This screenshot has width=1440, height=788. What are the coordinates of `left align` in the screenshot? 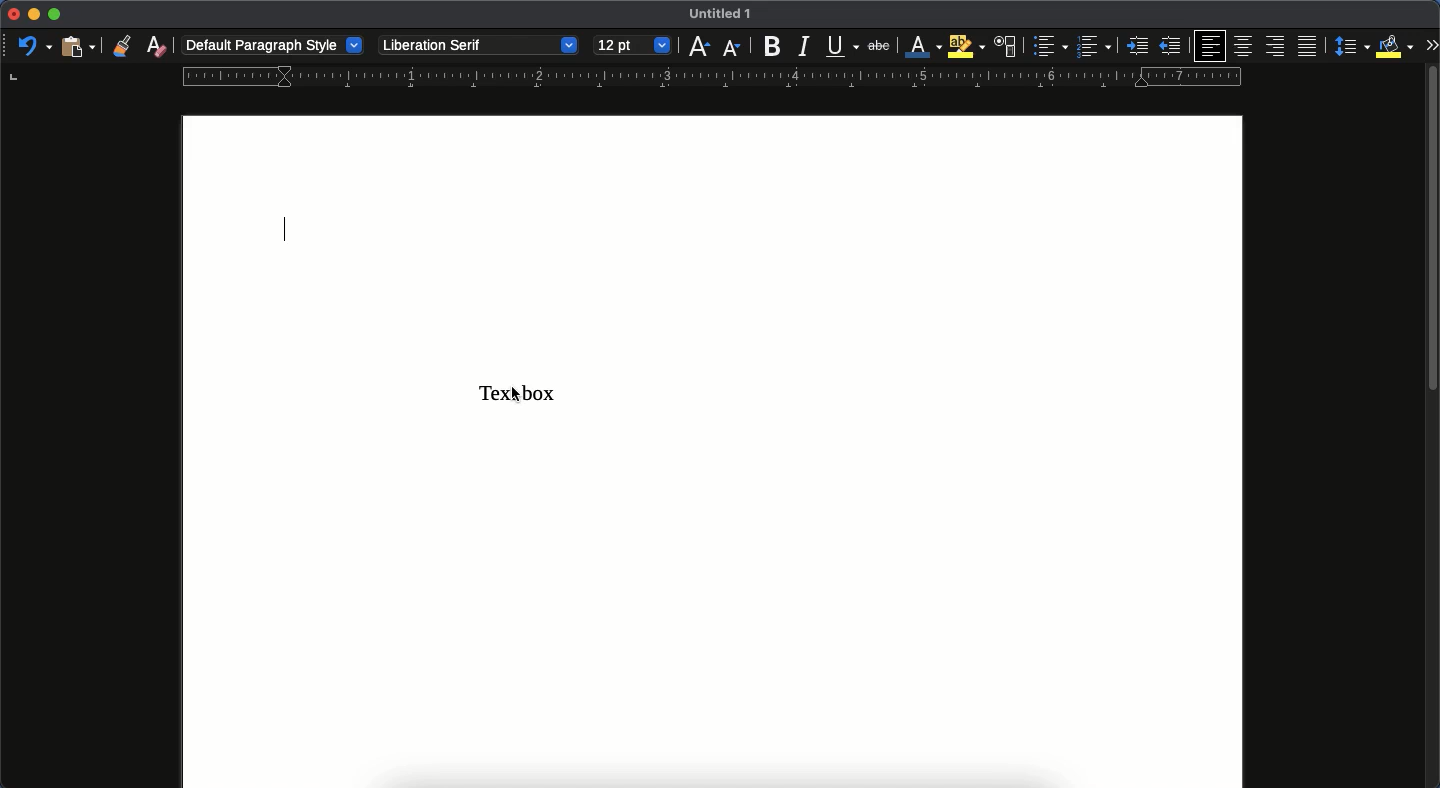 It's located at (1212, 46).